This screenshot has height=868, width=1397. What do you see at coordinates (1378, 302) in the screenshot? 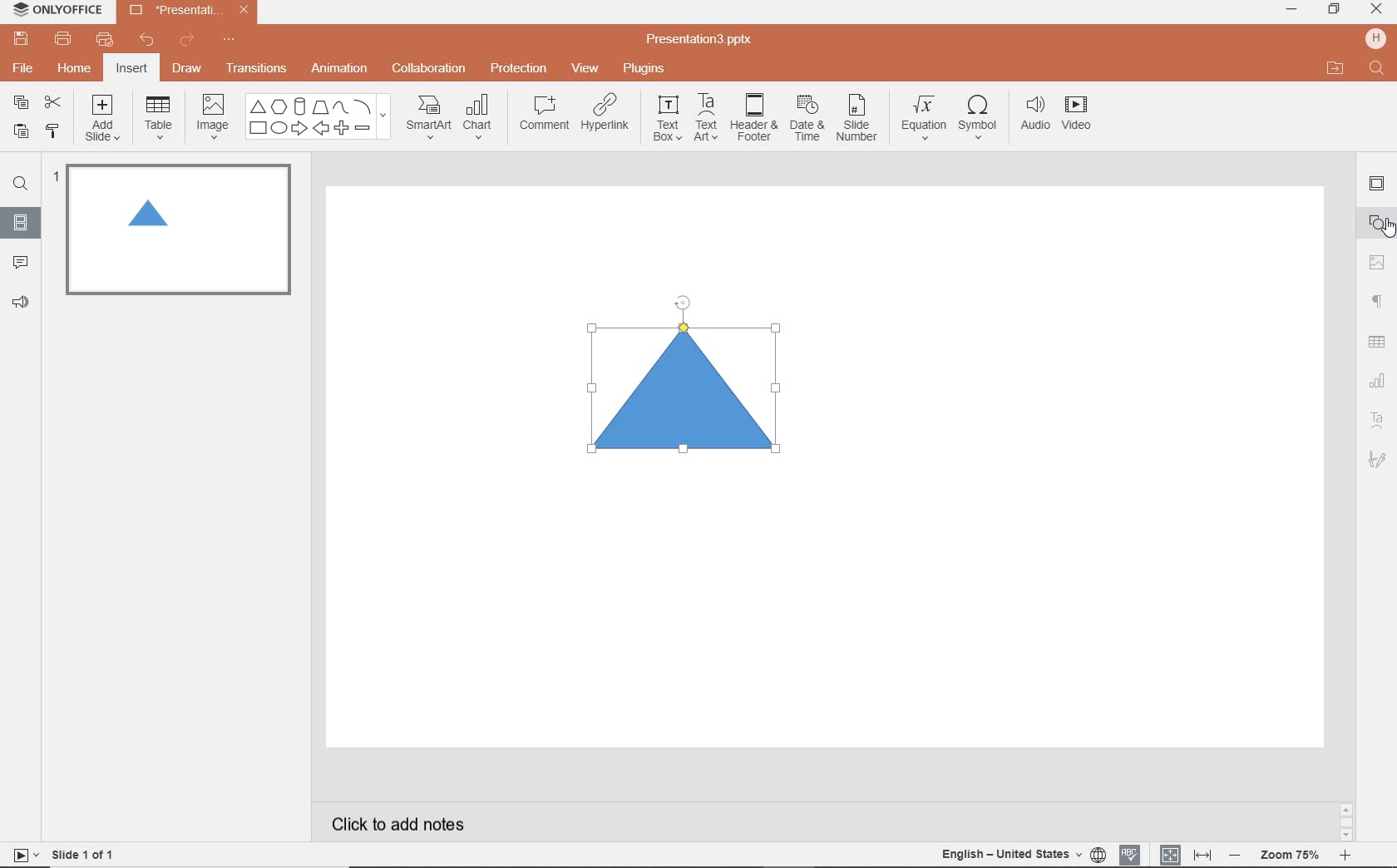
I see `PARAGRAPH SETTINGS` at bounding box center [1378, 302].